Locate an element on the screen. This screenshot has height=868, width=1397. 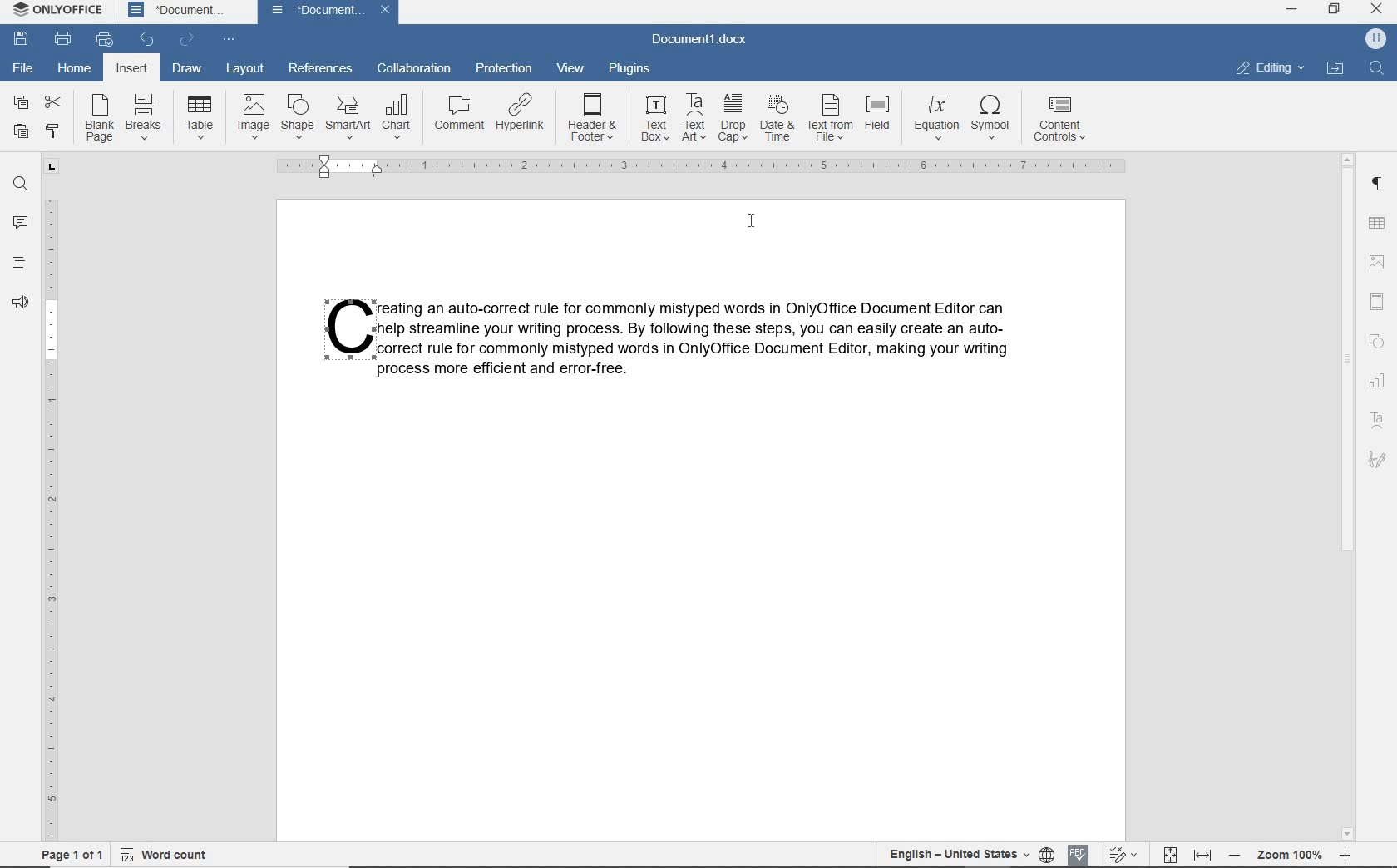
paragraph settings is located at coordinates (1379, 184).